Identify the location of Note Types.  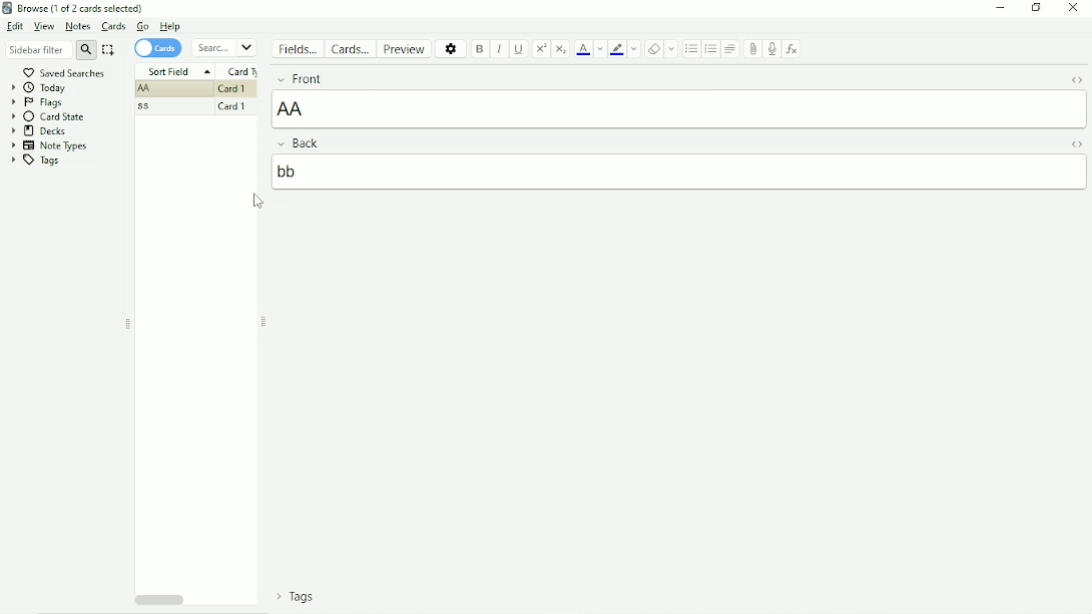
(49, 145).